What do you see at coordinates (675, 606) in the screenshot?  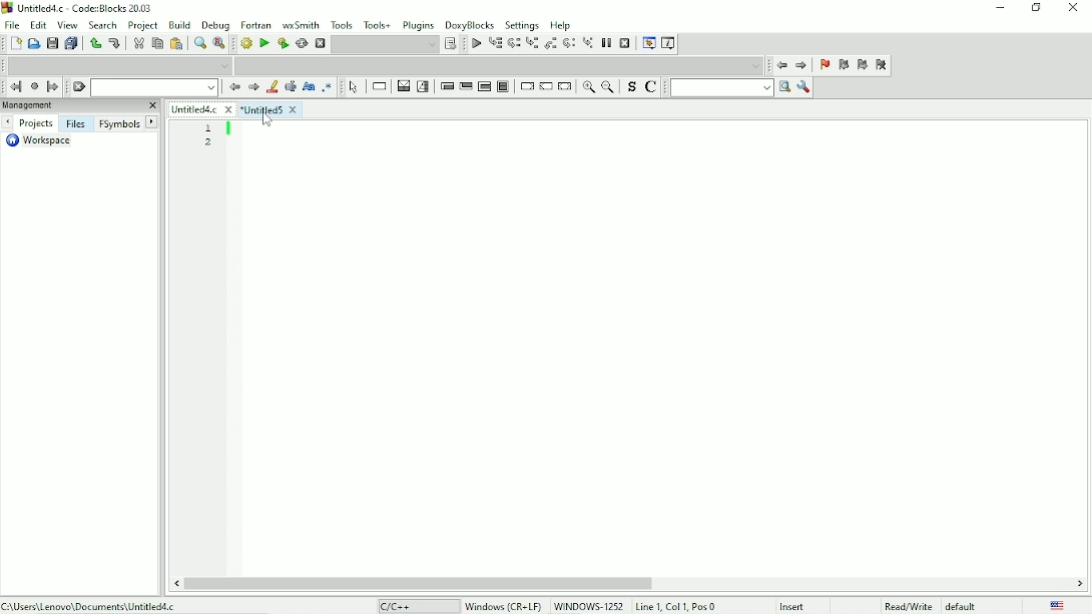 I see `Line 1, Col 1, Pos 0` at bounding box center [675, 606].